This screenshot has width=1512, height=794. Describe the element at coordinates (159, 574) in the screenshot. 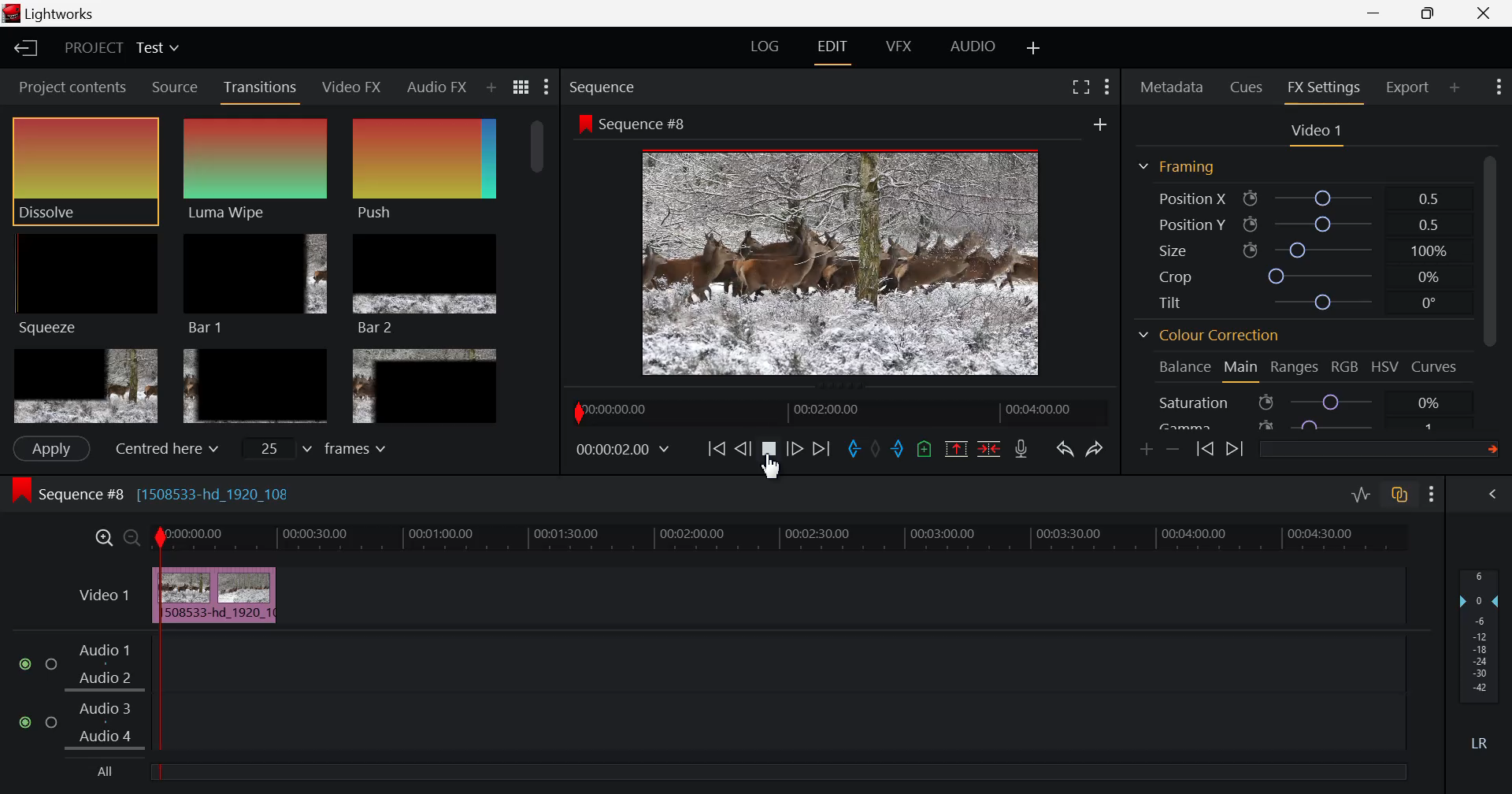

I see `Segment In Mark` at that location.